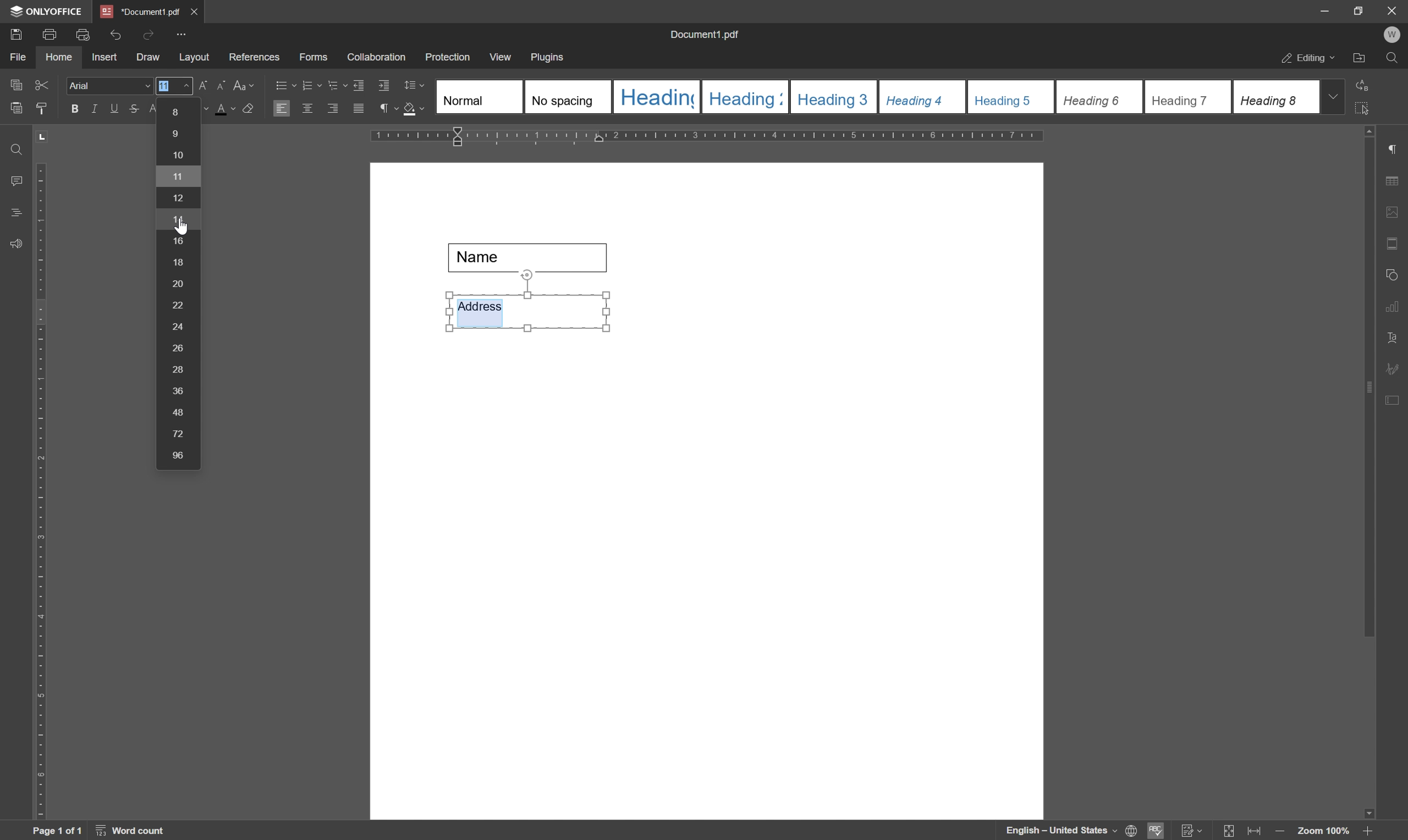 The height and width of the screenshot is (840, 1408). Describe the element at coordinates (533, 258) in the screenshot. I see `Name` at that location.